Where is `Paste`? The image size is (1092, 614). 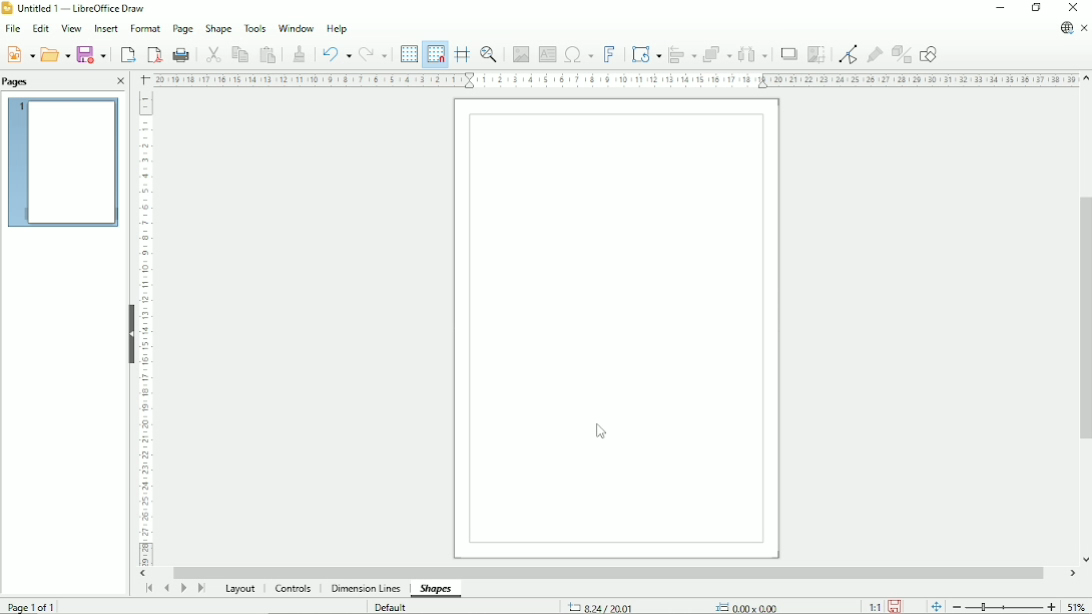 Paste is located at coordinates (268, 54).